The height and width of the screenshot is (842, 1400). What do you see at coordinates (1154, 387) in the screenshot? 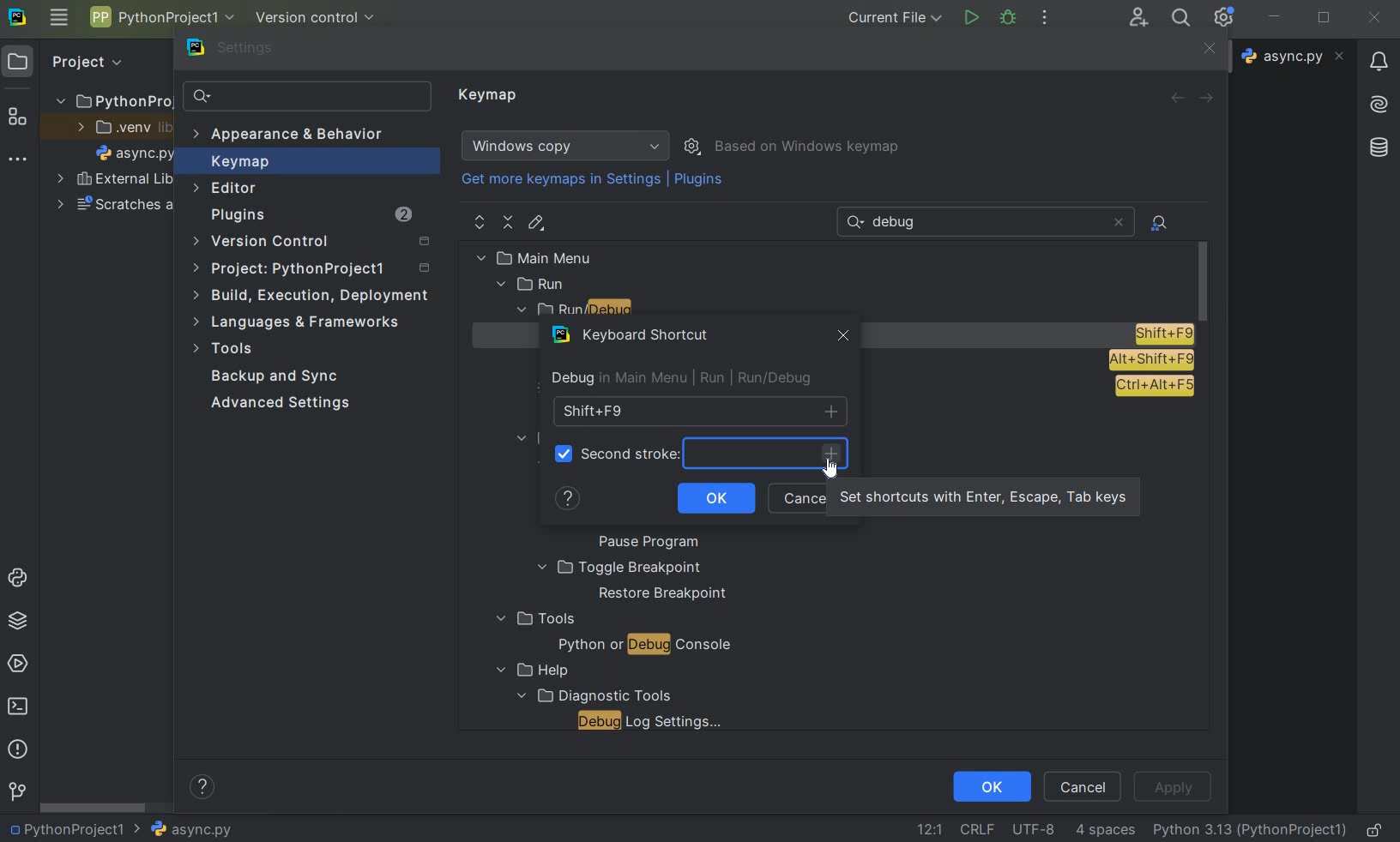
I see `Ctrl+Alt+F5` at bounding box center [1154, 387].